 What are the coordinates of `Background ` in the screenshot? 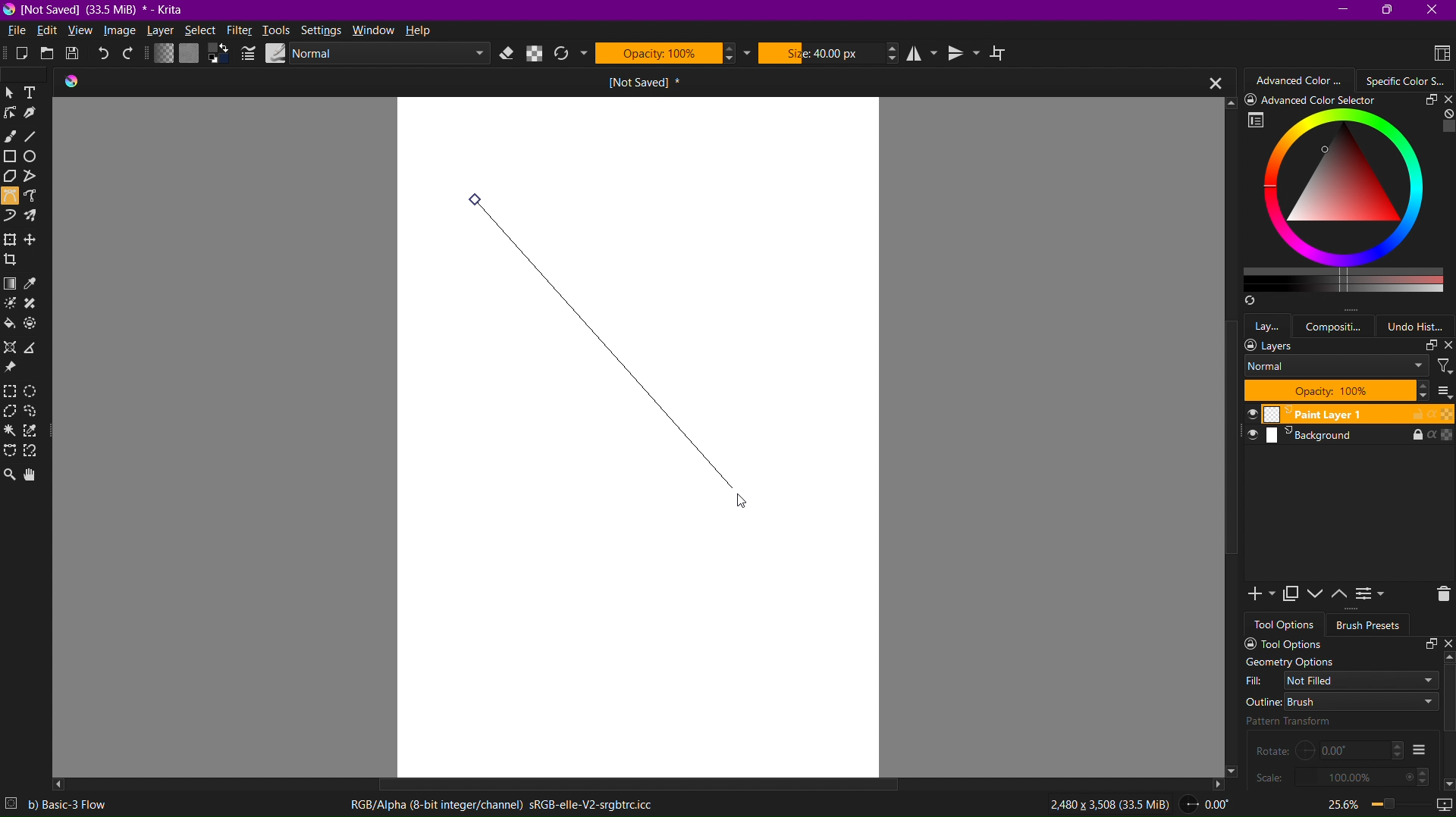 It's located at (1343, 438).